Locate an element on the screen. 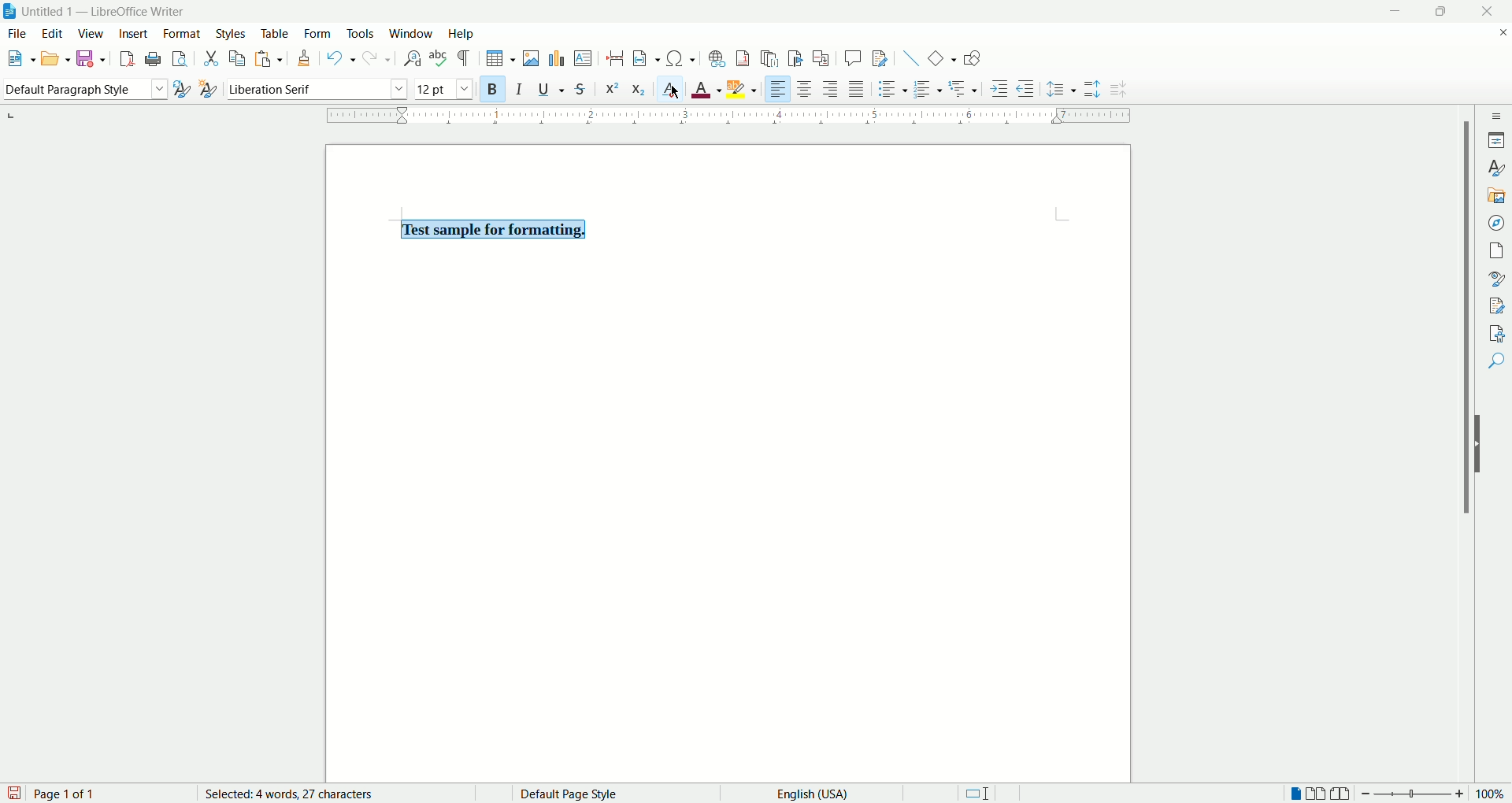 This screenshot has height=803, width=1512. page is located at coordinates (1495, 253).